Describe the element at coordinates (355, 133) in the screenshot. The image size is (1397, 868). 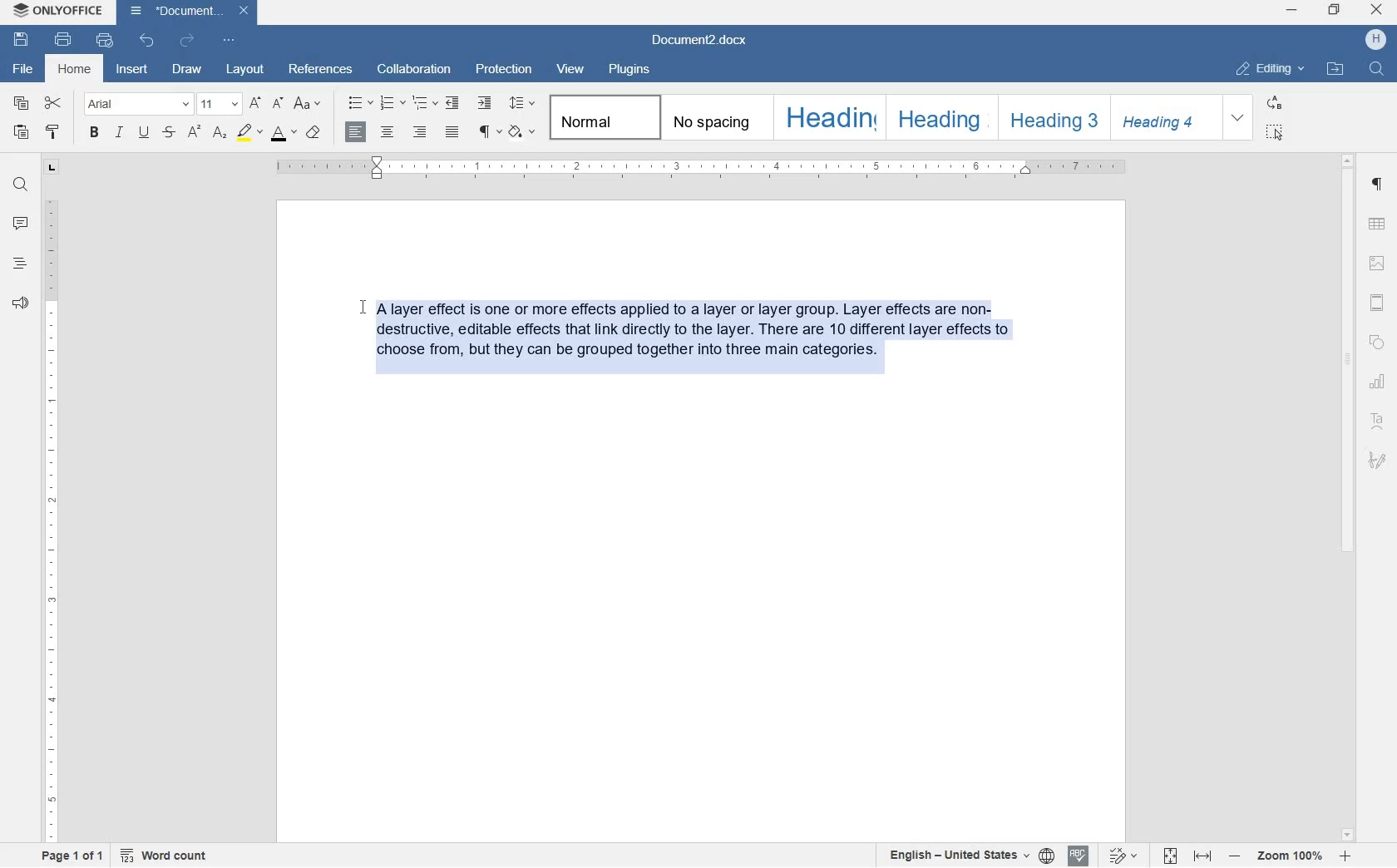
I see `align right` at that location.